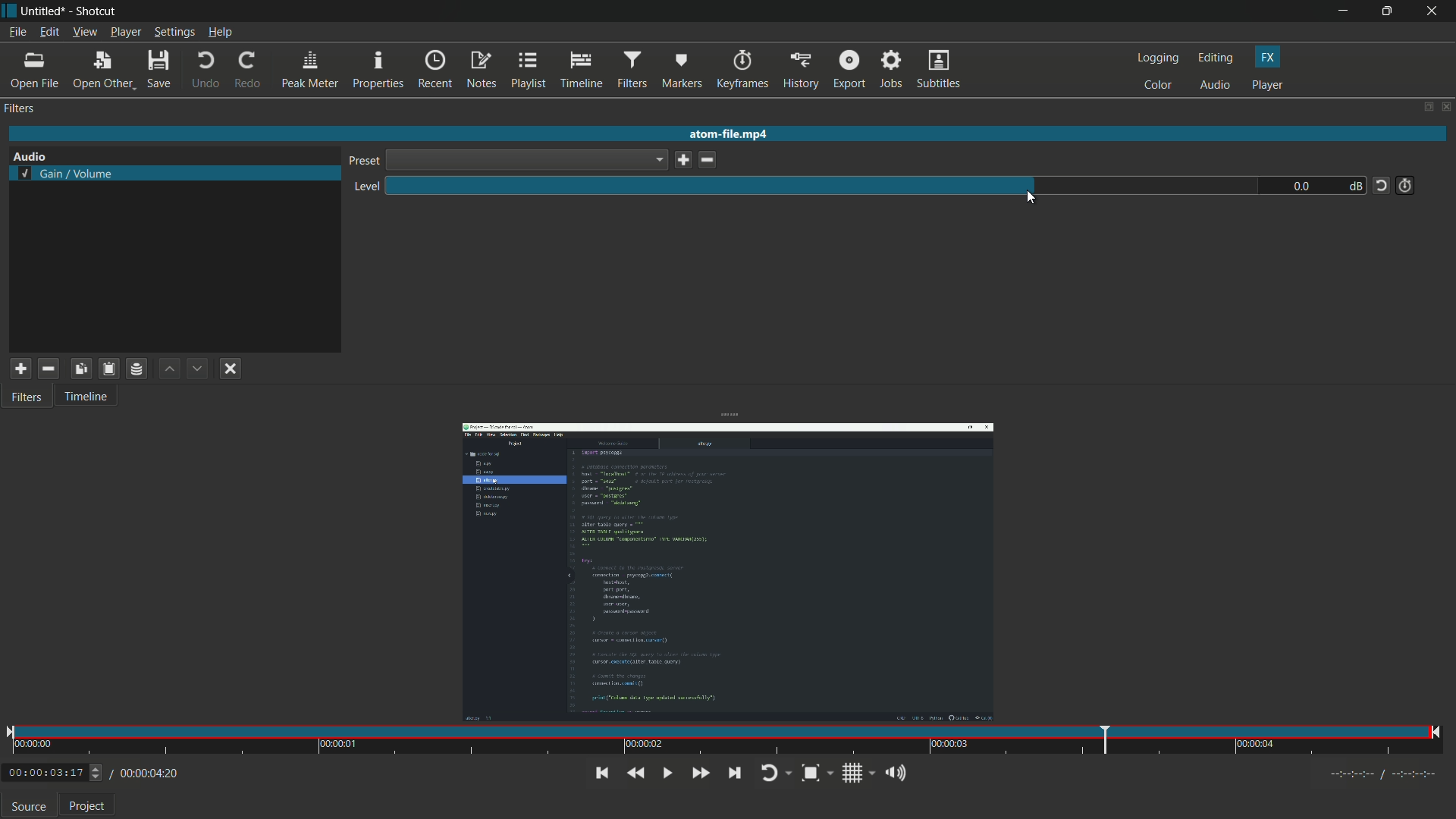  I want to click on export, so click(849, 71).